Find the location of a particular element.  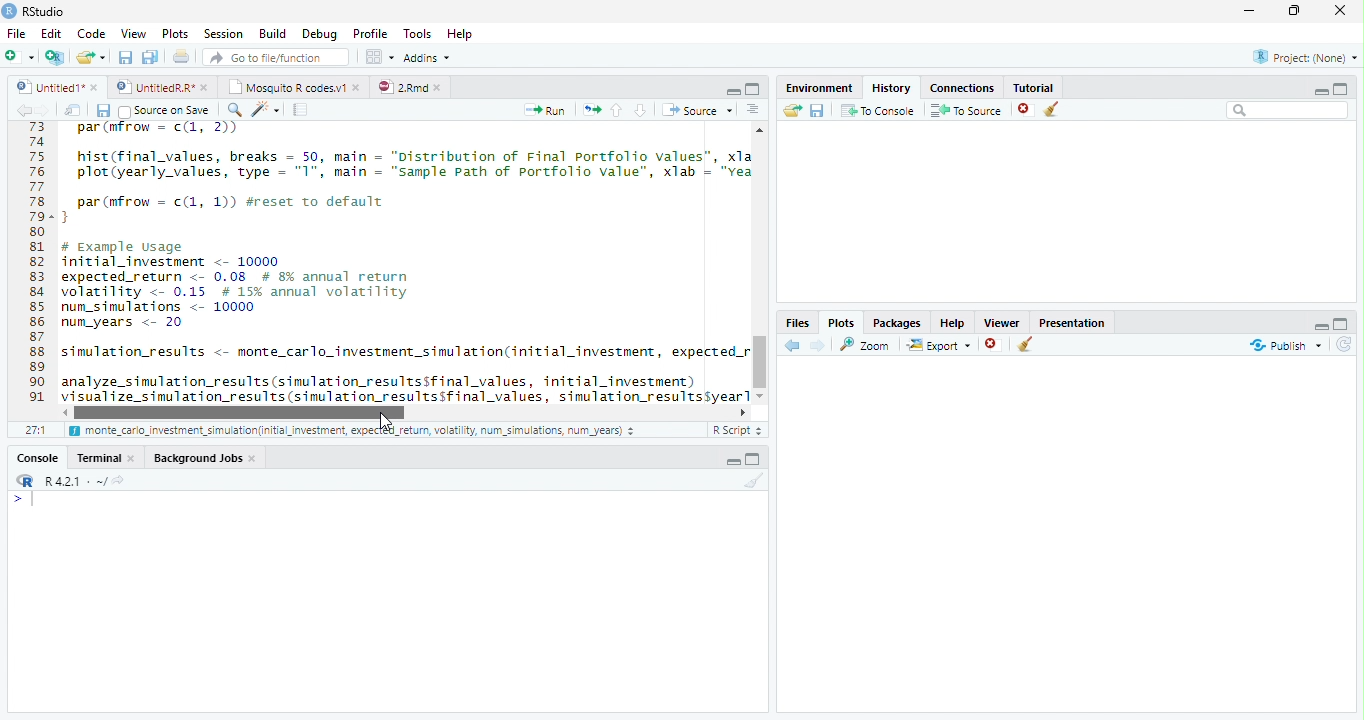

‘Connections is located at coordinates (959, 86).